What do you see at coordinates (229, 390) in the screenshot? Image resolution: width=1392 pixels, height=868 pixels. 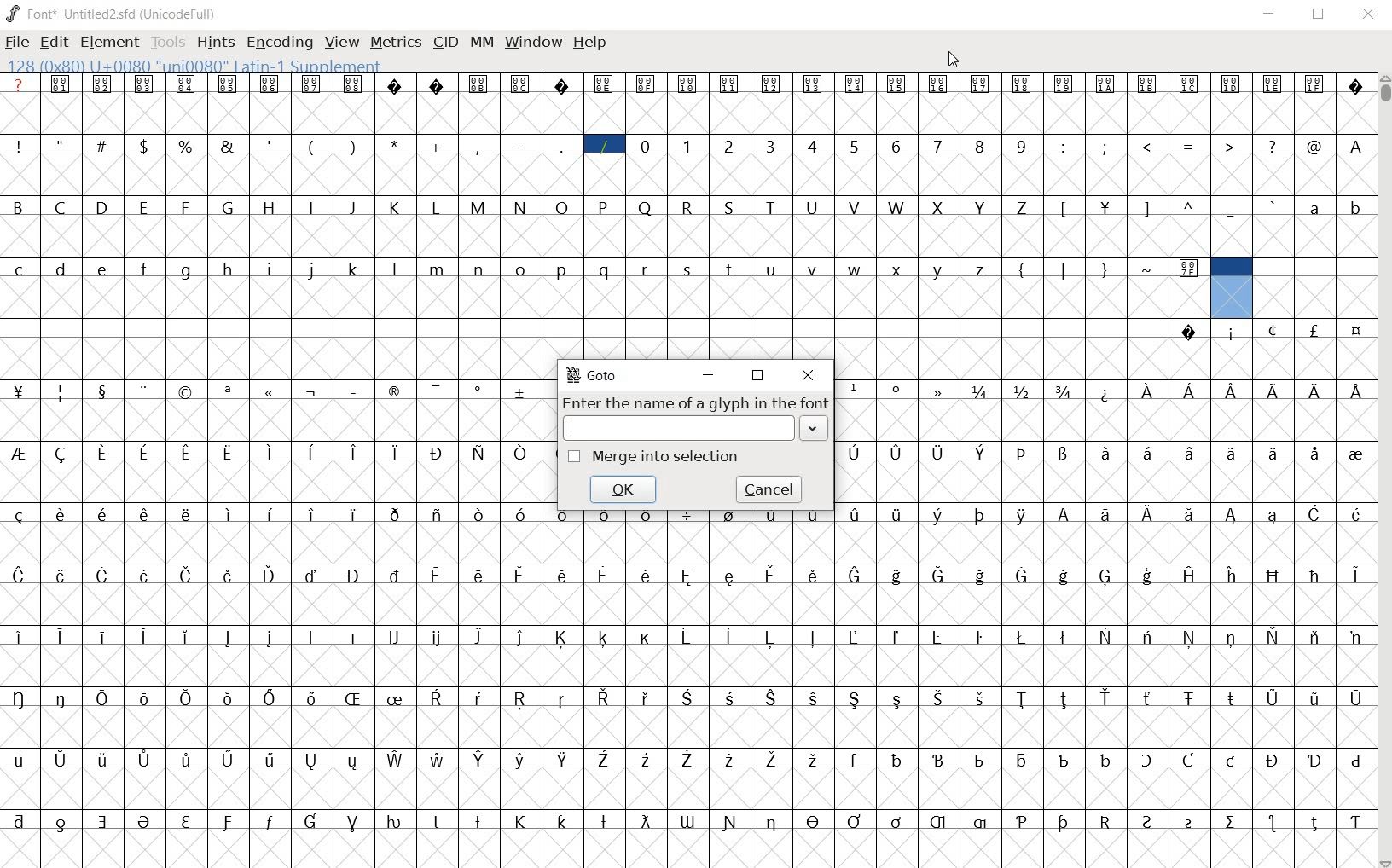 I see `Symbol` at bounding box center [229, 390].